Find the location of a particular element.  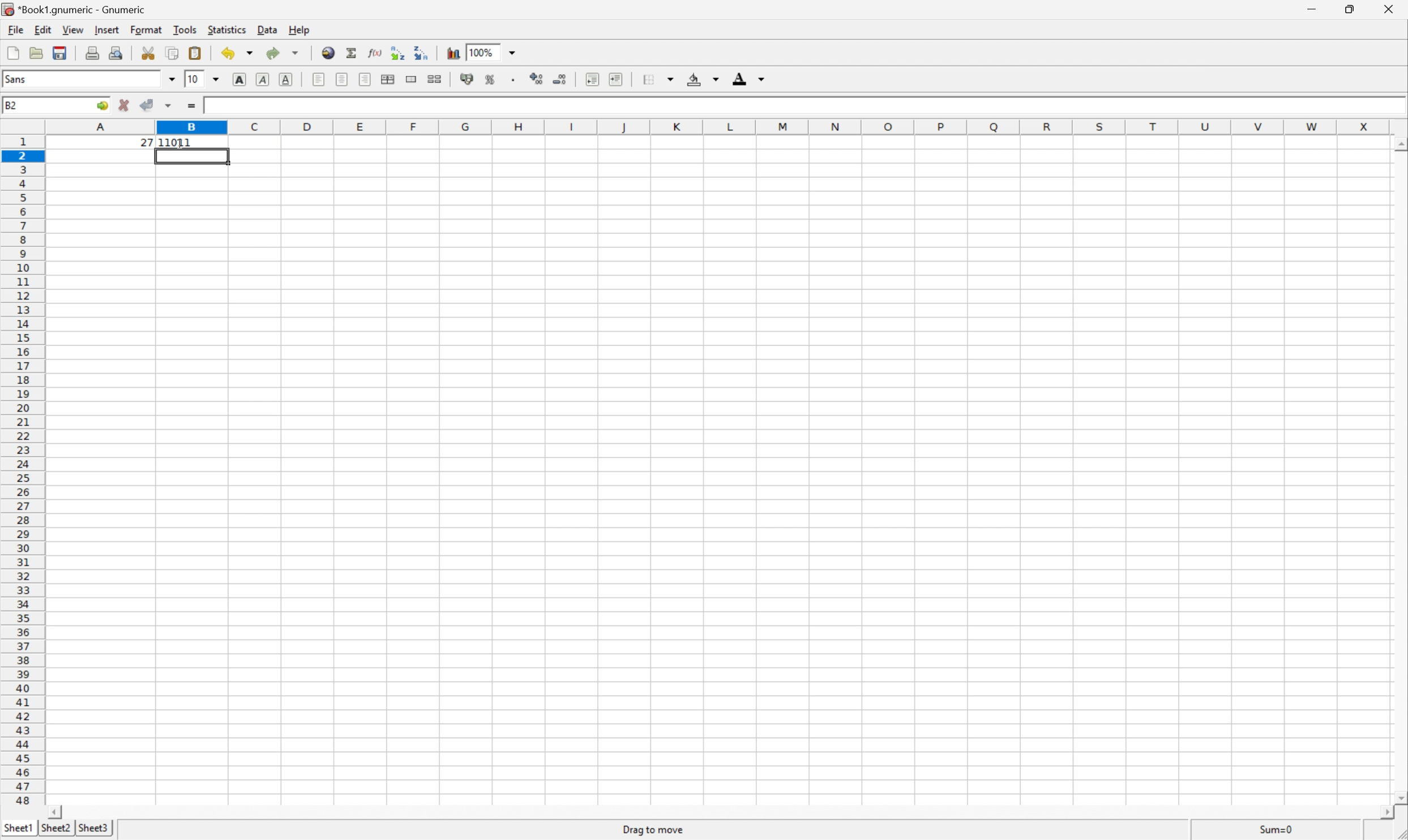

Format the selection as percentage is located at coordinates (490, 79).